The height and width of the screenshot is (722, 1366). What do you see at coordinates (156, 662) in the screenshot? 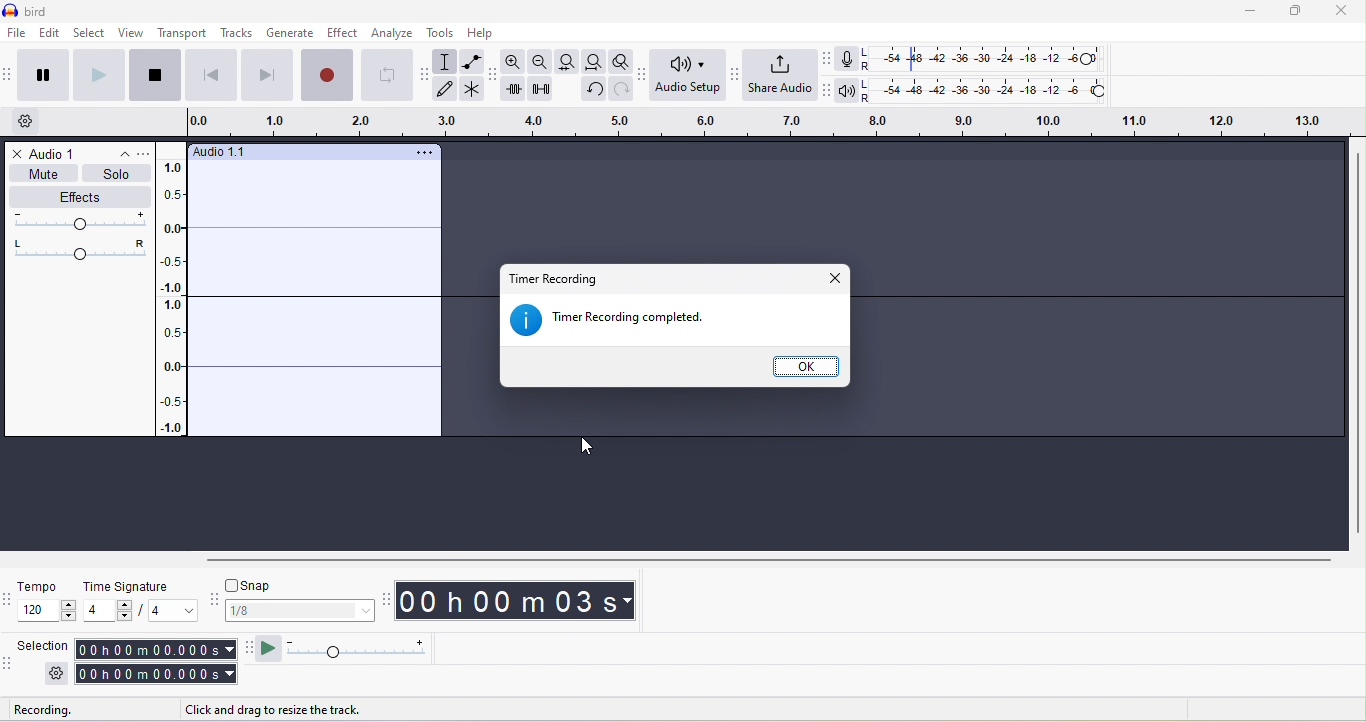
I see `selection` at bounding box center [156, 662].